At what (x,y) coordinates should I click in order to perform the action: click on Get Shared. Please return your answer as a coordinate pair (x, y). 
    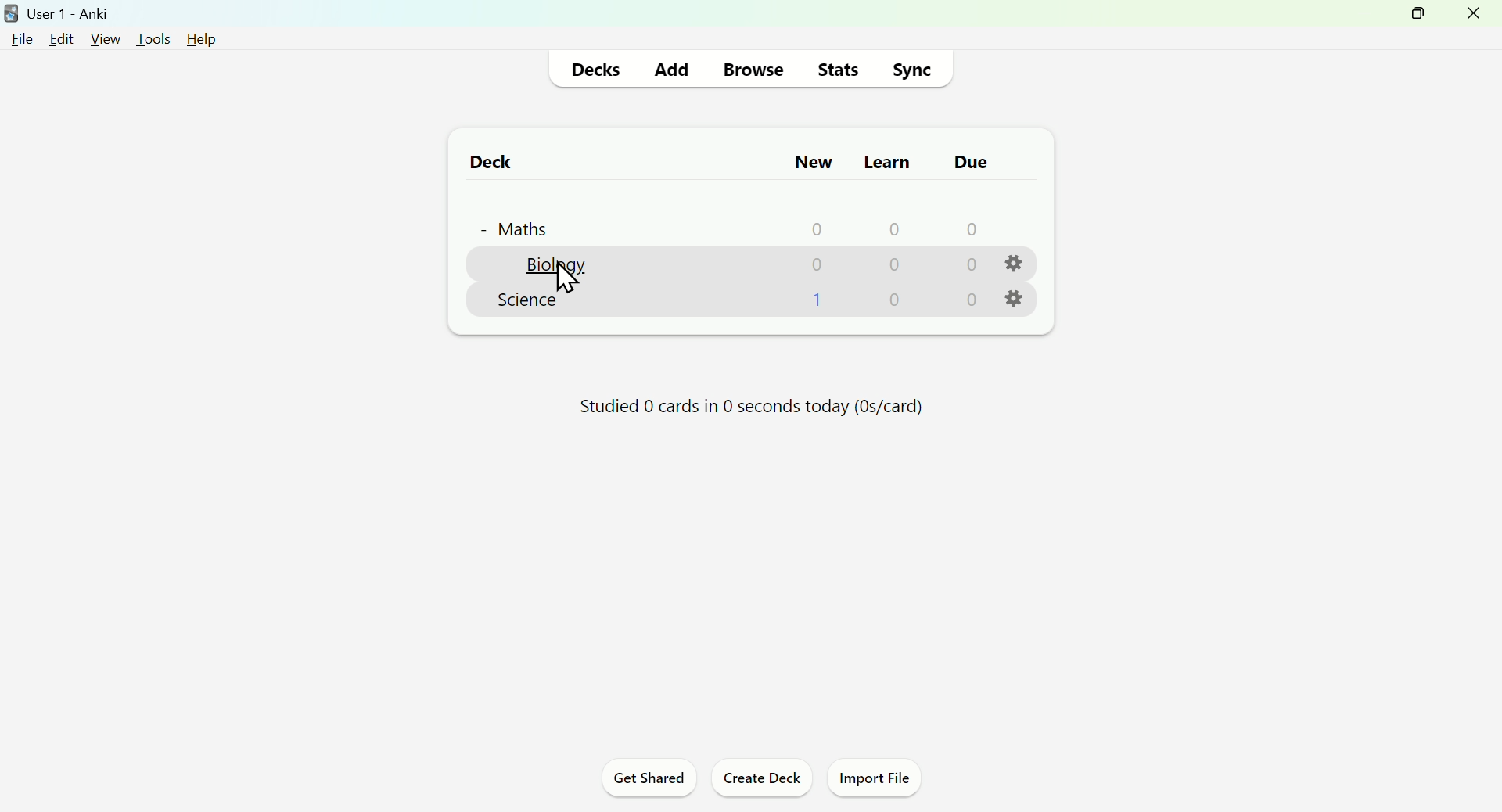
    Looking at the image, I should click on (650, 780).